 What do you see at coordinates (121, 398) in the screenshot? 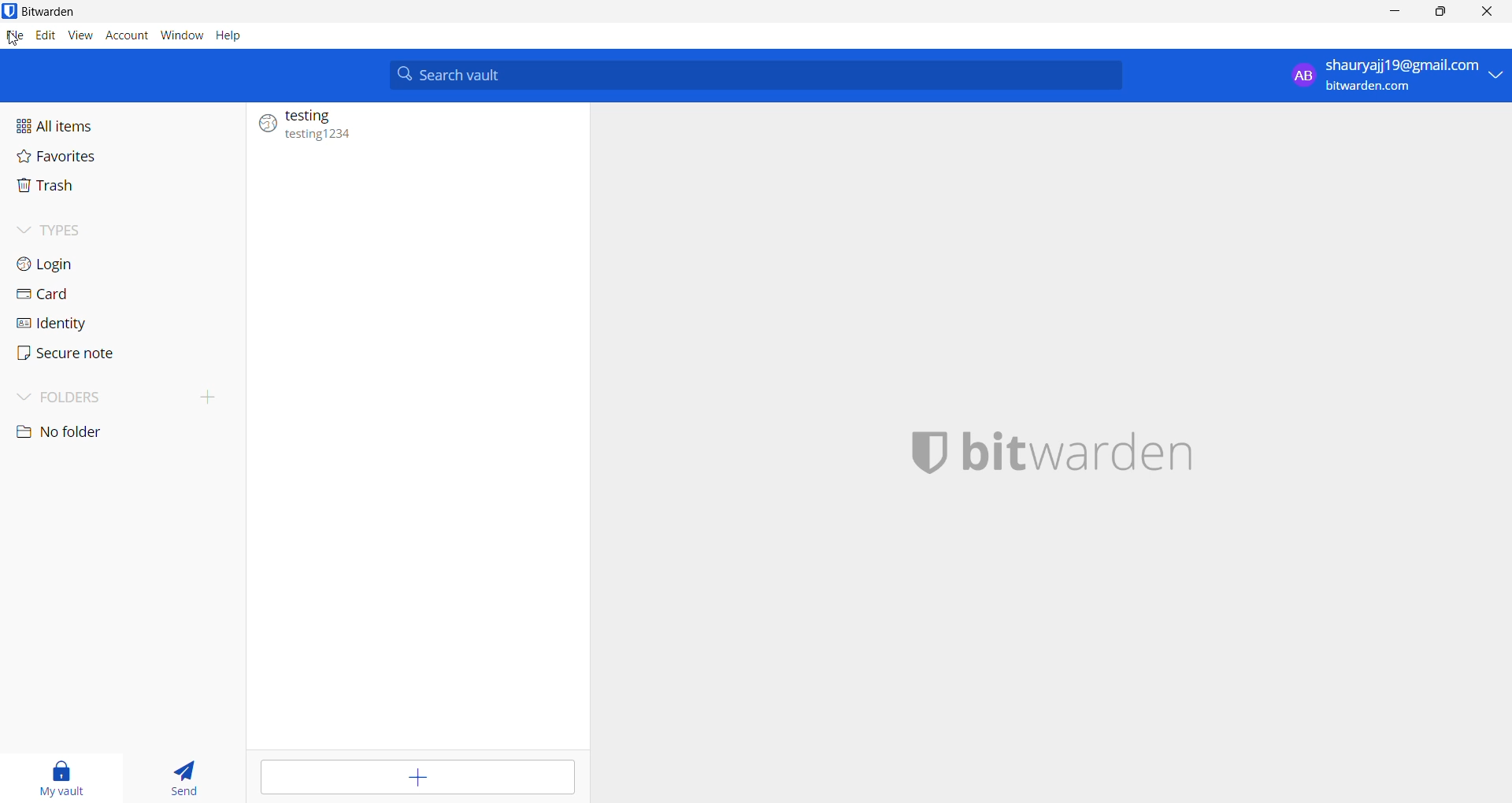
I see `folders` at bounding box center [121, 398].